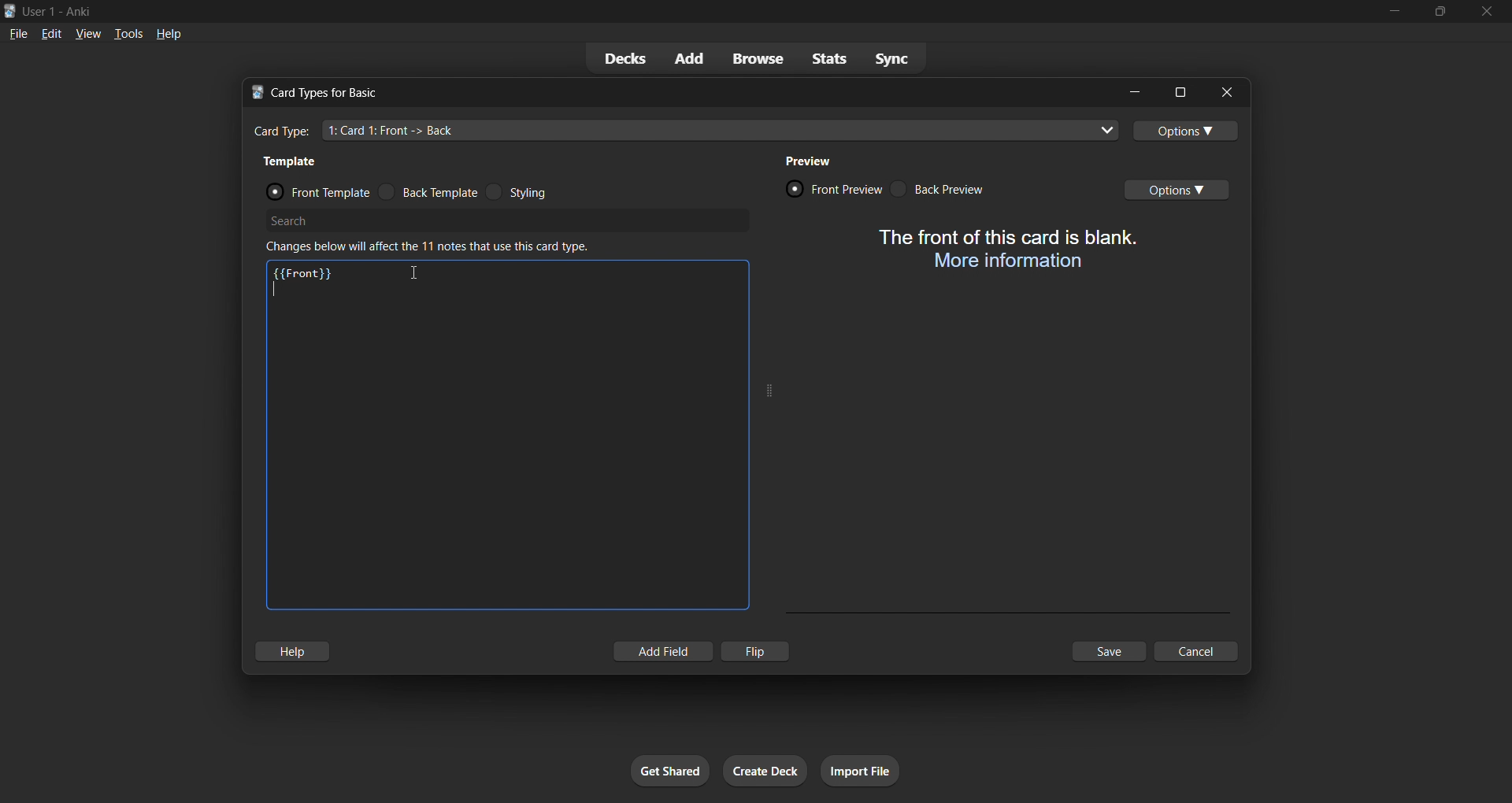  I want to click on flip, so click(760, 649).